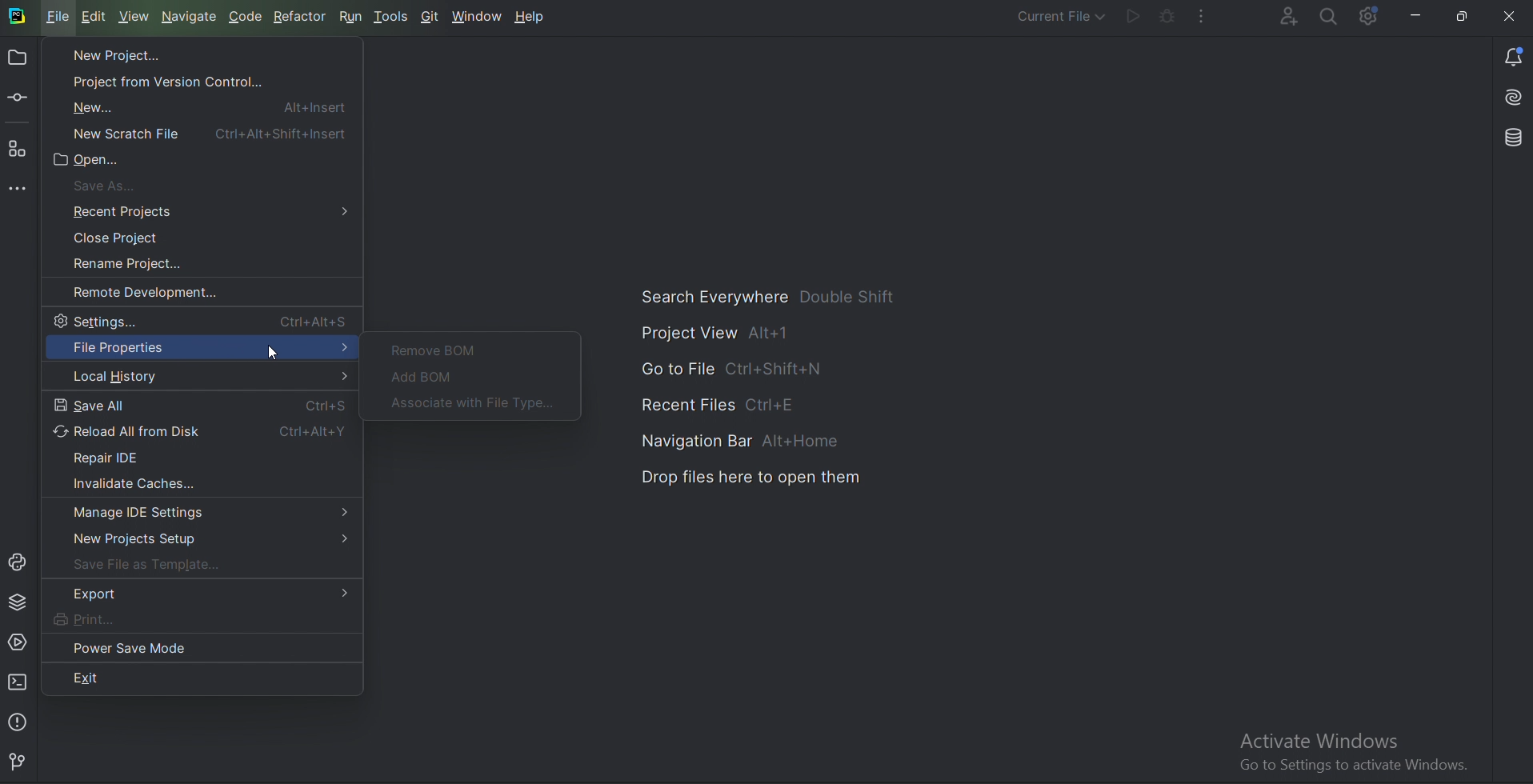  What do you see at coordinates (206, 320) in the screenshot?
I see `Settings` at bounding box center [206, 320].